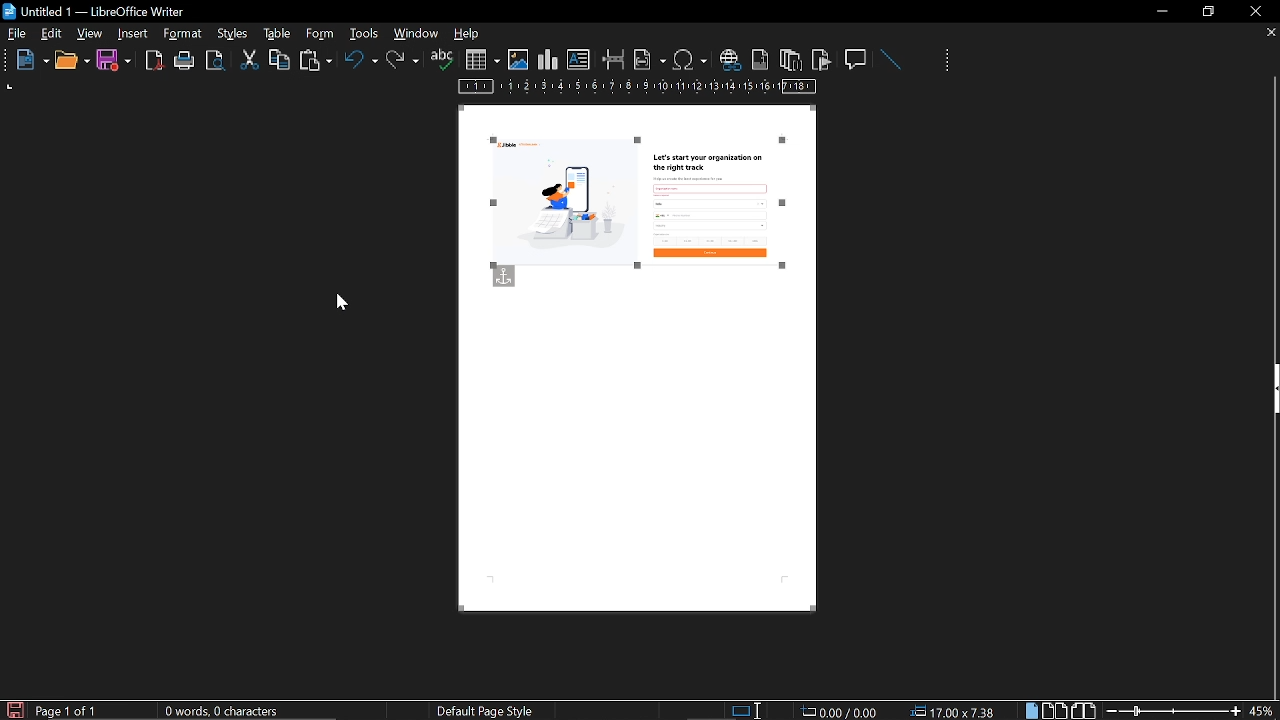 The image size is (1280, 720). Describe the element at coordinates (1173, 711) in the screenshot. I see `change zoom` at that location.